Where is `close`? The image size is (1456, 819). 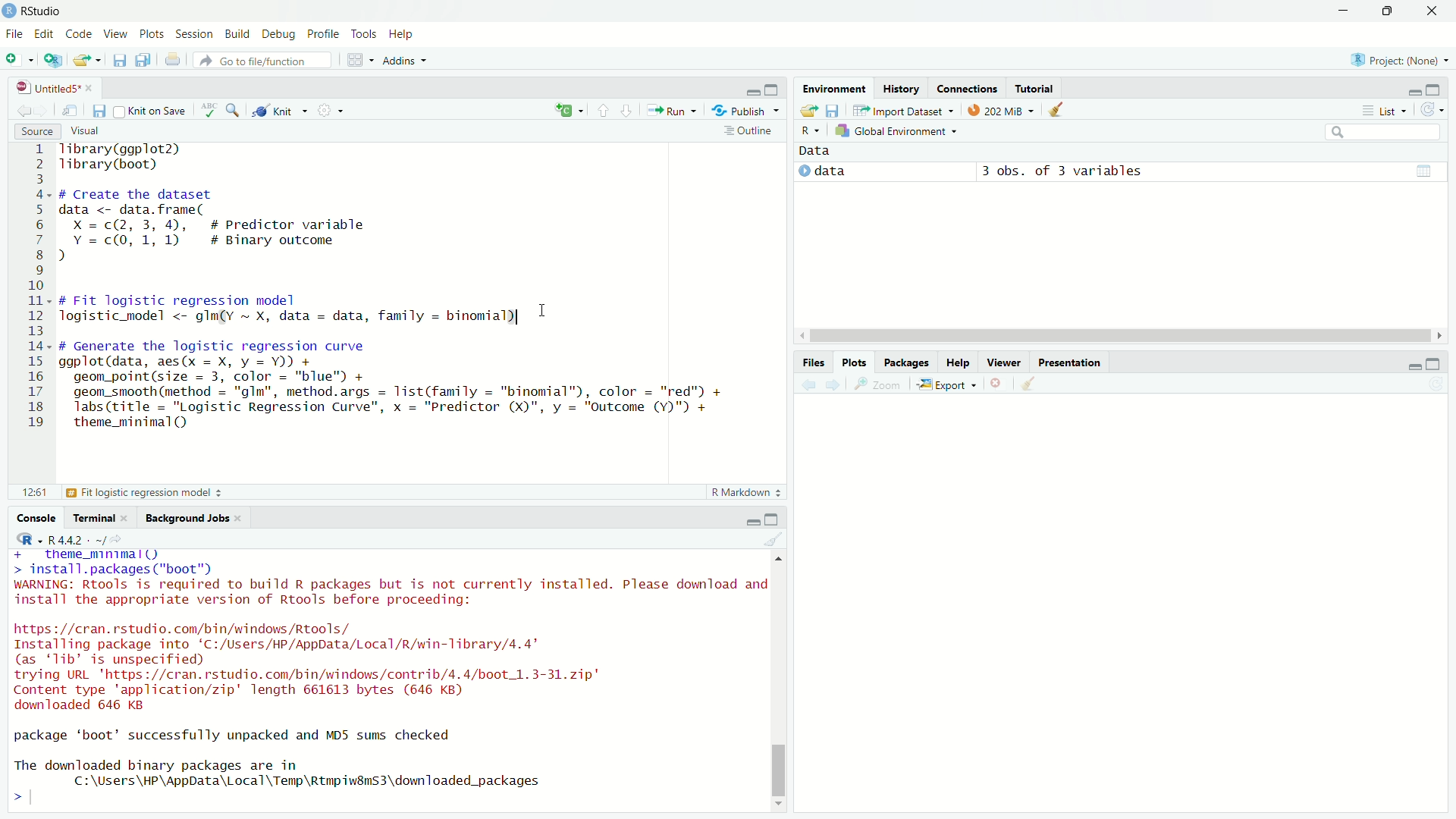
close is located at coordinates (89, 89).